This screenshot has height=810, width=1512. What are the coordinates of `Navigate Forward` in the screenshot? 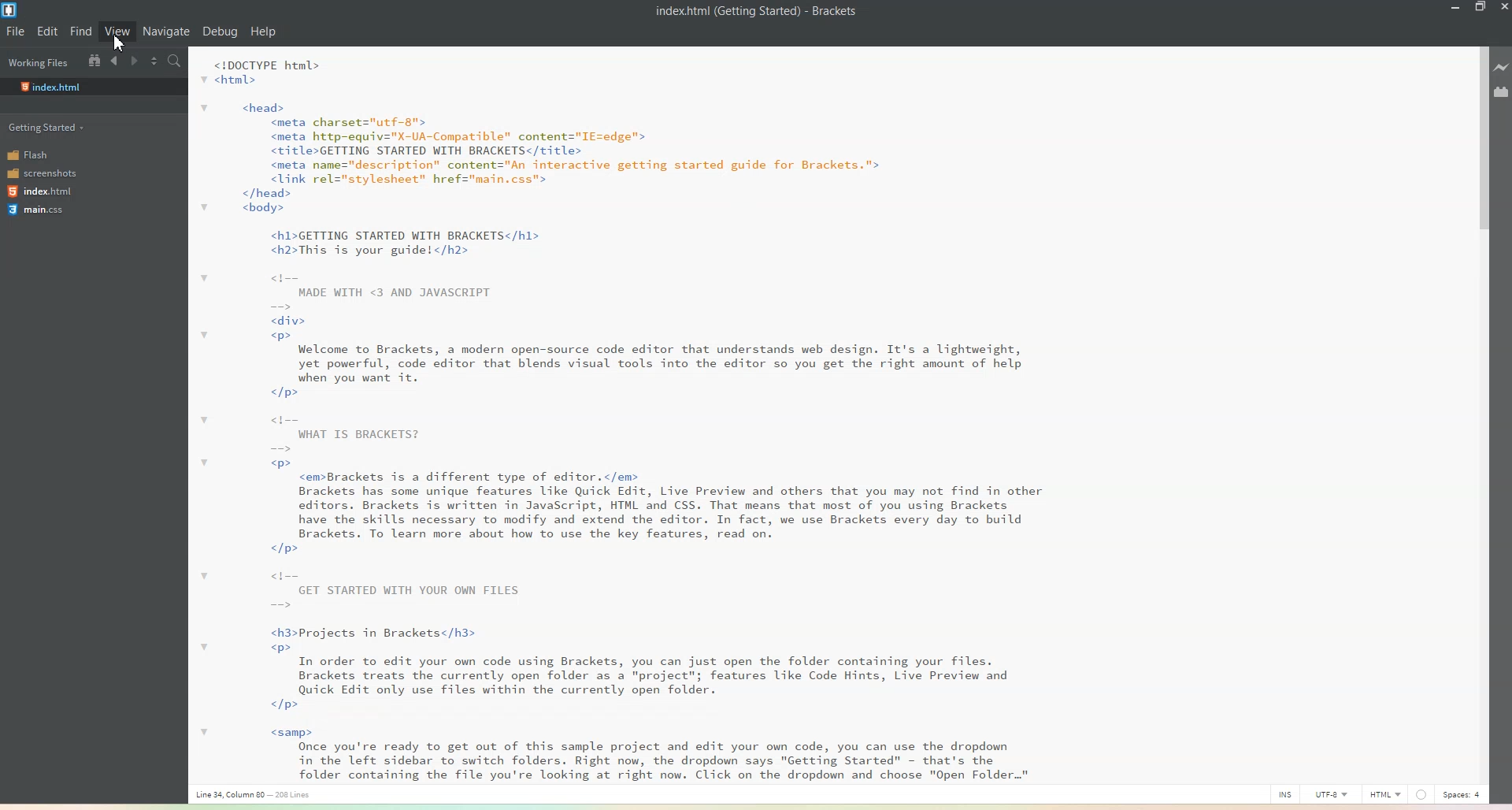 It's located at (136, 61).